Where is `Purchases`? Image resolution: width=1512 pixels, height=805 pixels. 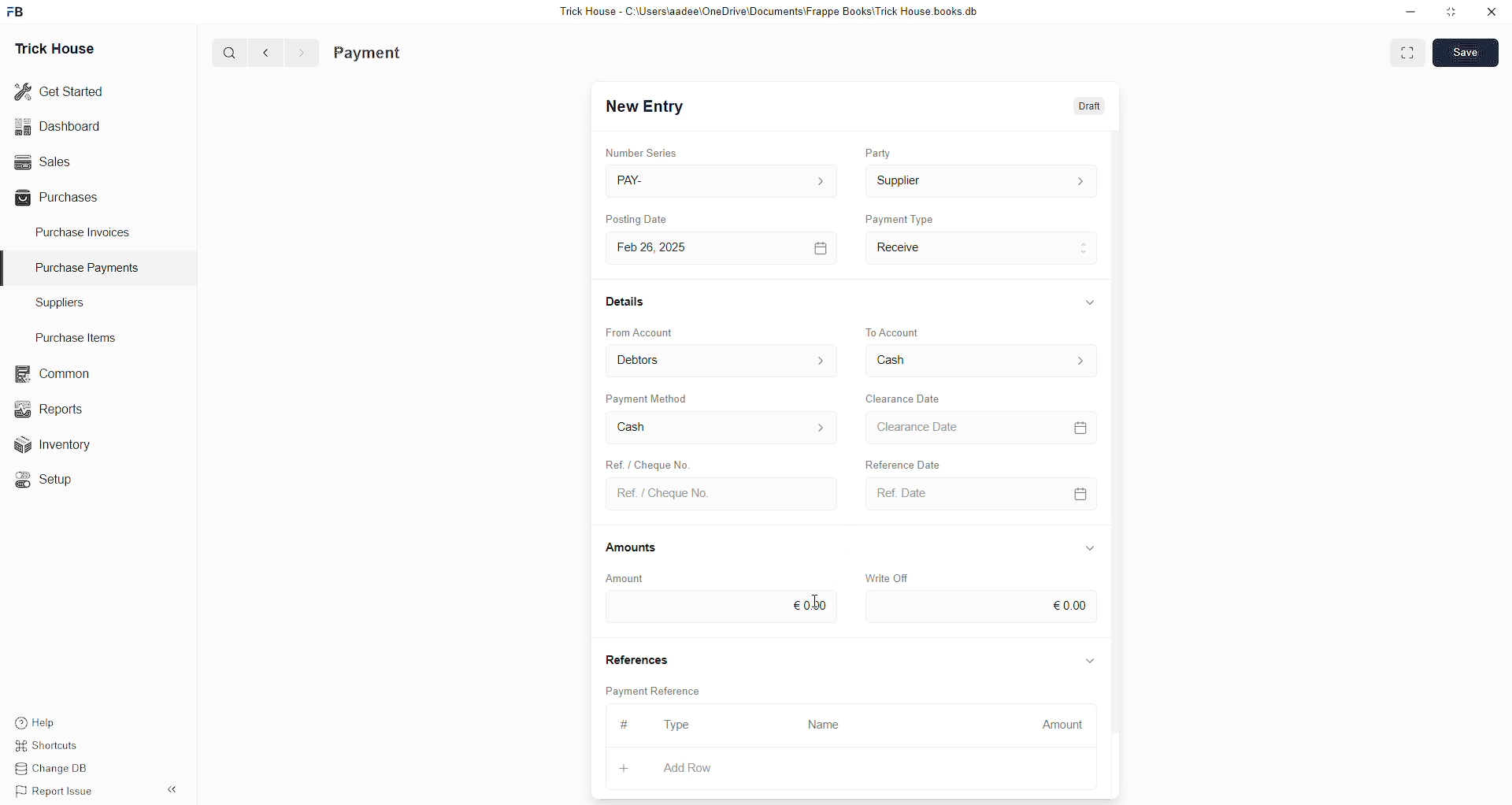
Purchases is located at coordinates (60, 199).